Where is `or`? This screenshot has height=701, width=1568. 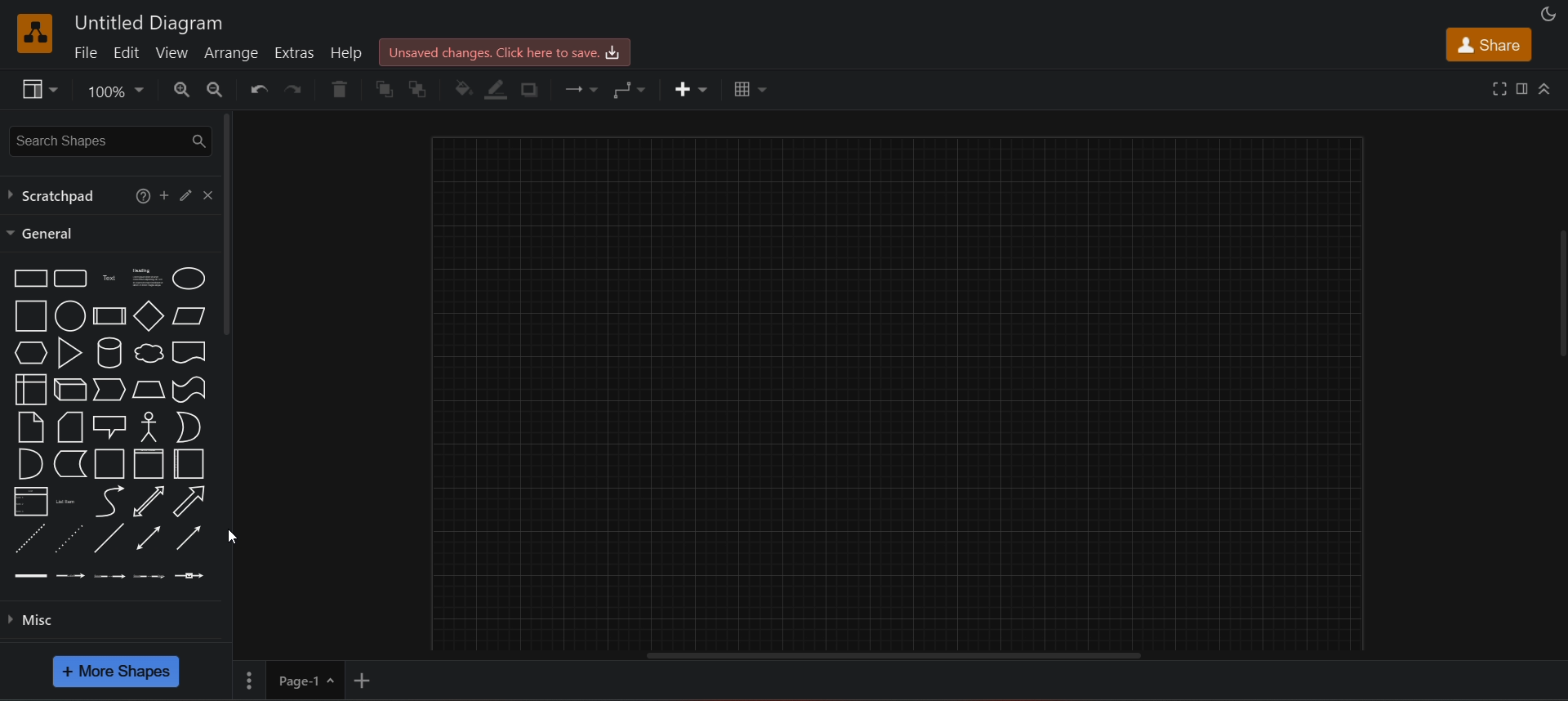 or is located at coordinates (190, 426).